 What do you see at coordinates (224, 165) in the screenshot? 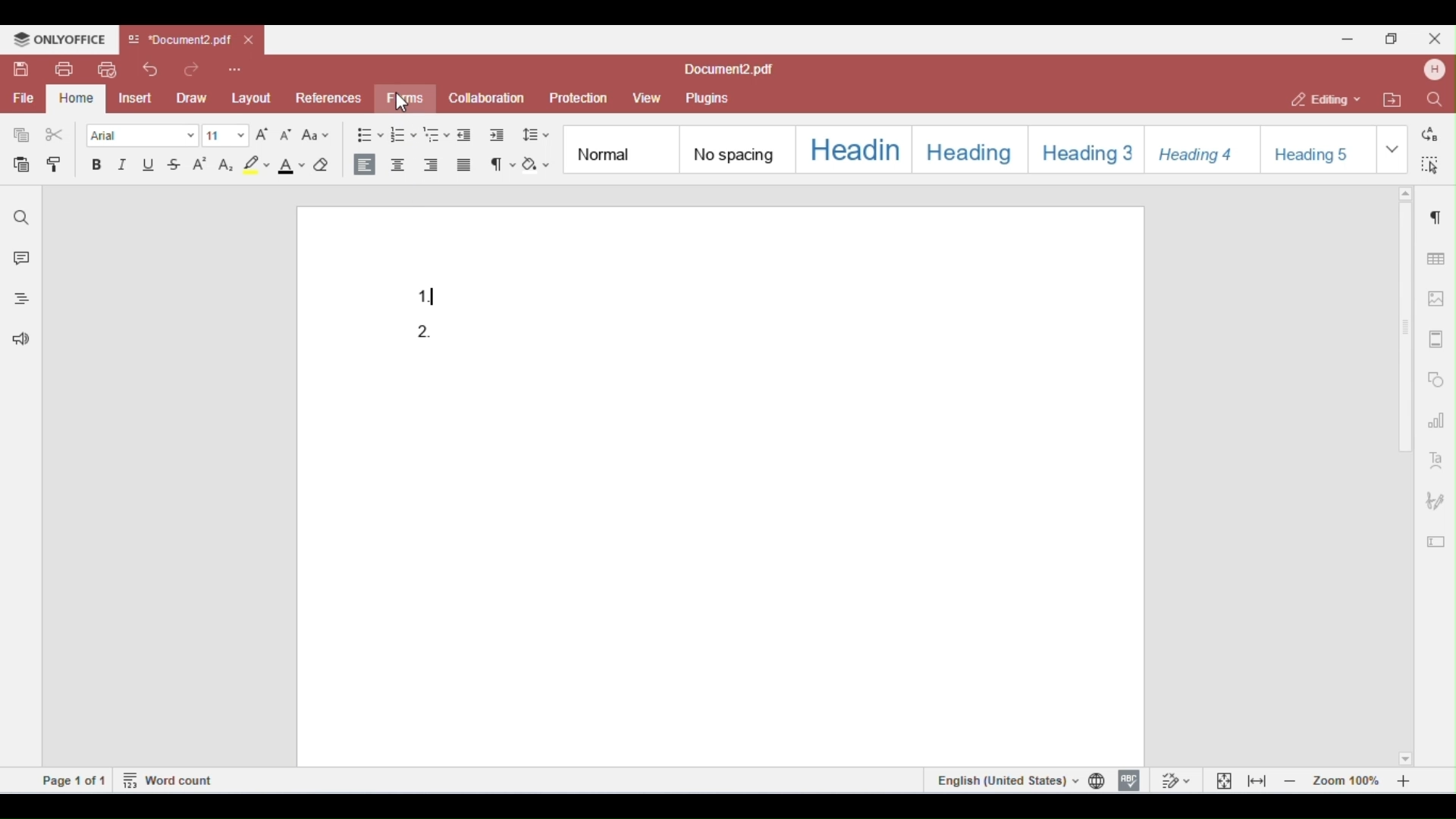
I see `subscript` at bounding box center [224, 165].